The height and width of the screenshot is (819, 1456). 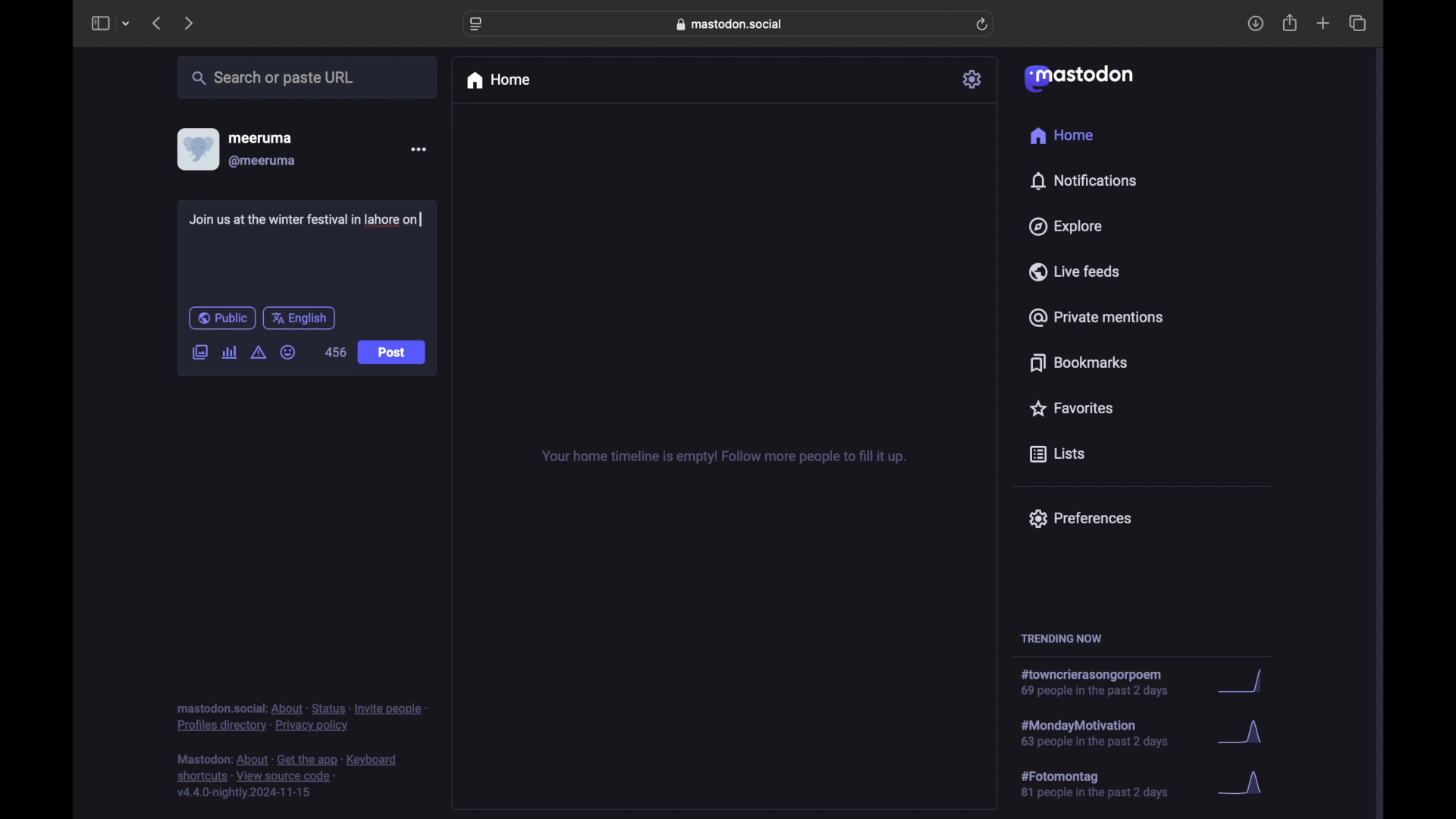 I want to click on footnote, so click(x=302, y=717).